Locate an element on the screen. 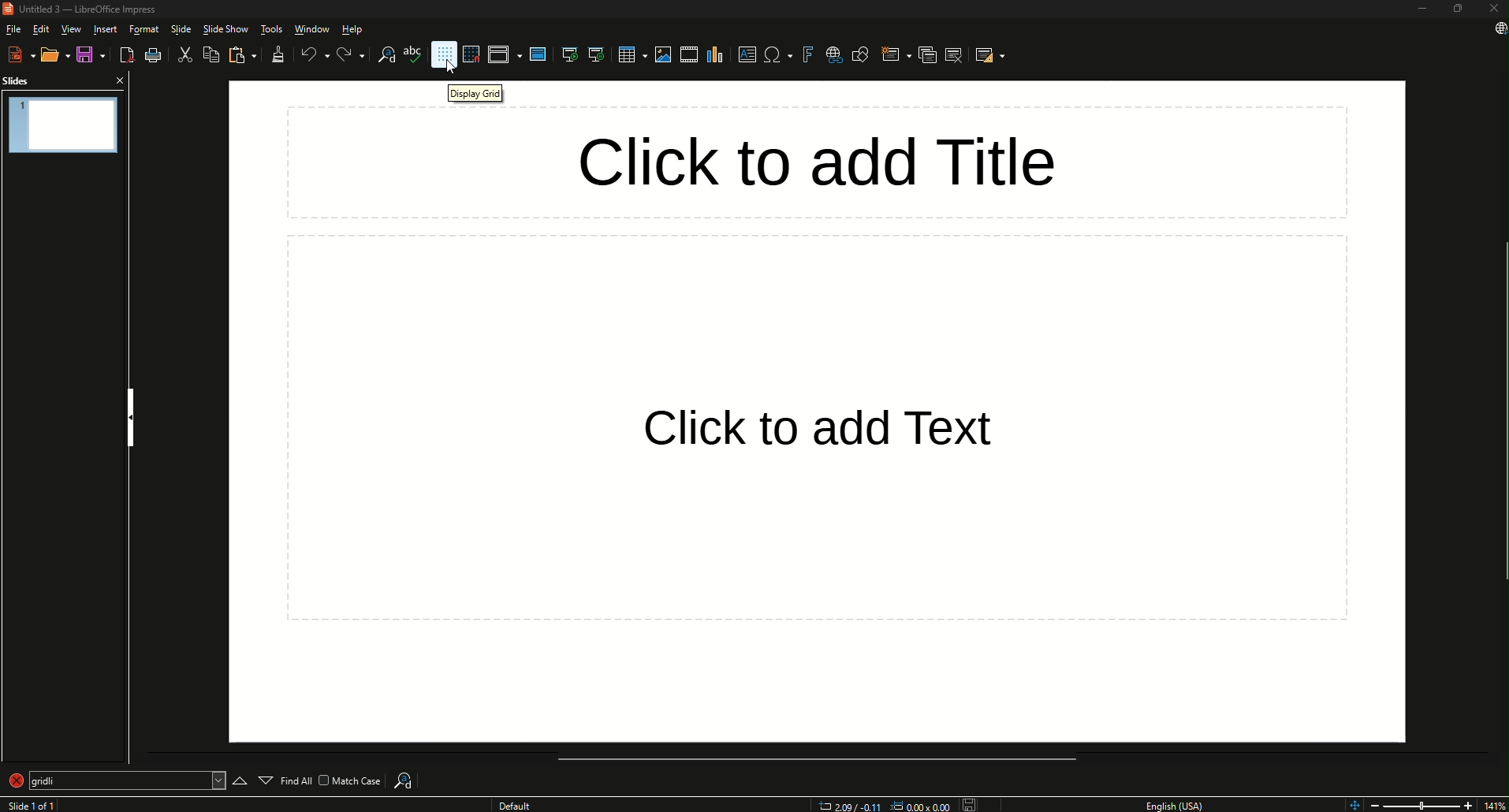 Image resolution: width=1509 pixels, height=812 pixels. Help is located at coordinates (352, 31).